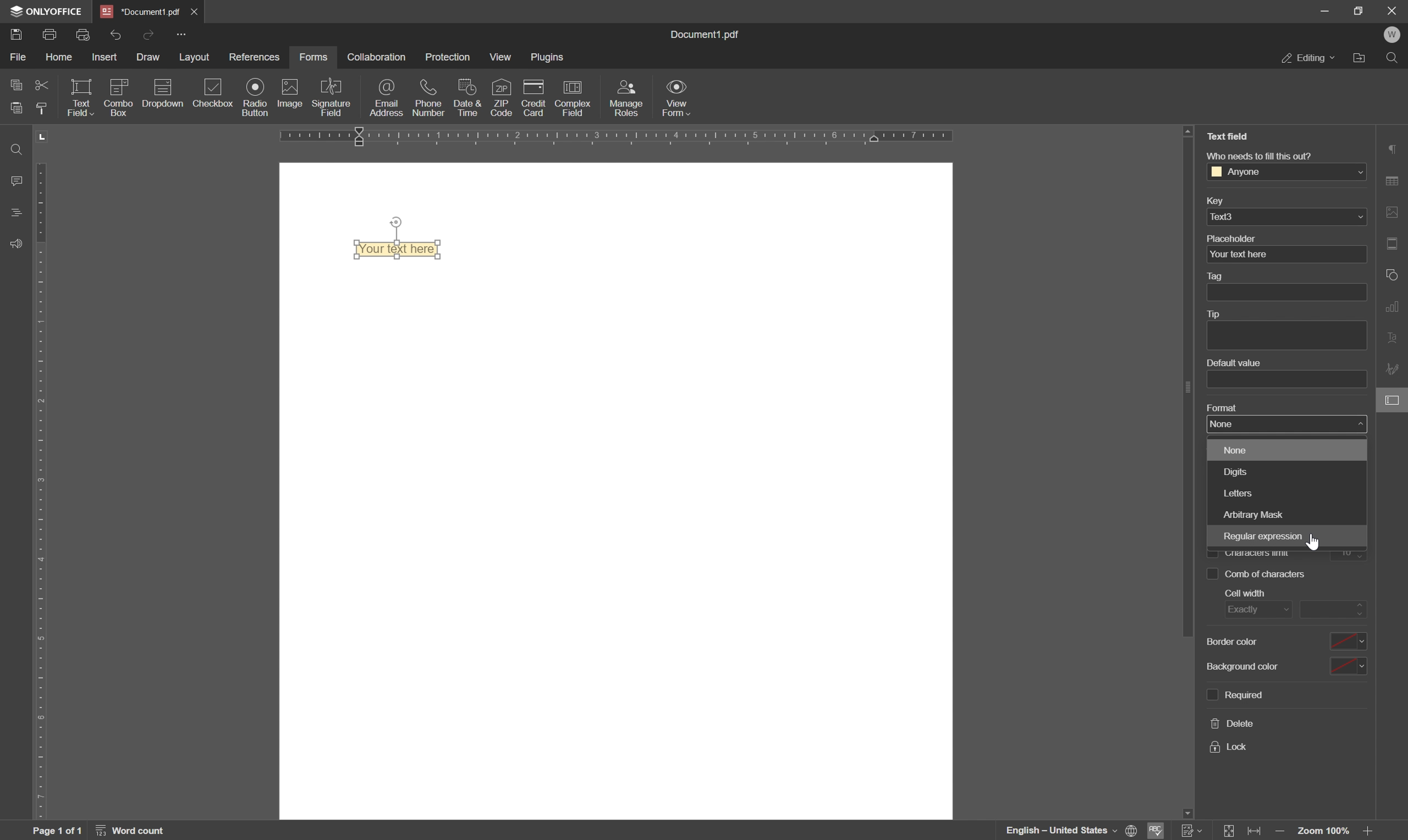 The width and height of the screenshot is (1408, 840). Describe the element at coordinates (1282, 336) in the screenshot. I see `tip text box` at that location.